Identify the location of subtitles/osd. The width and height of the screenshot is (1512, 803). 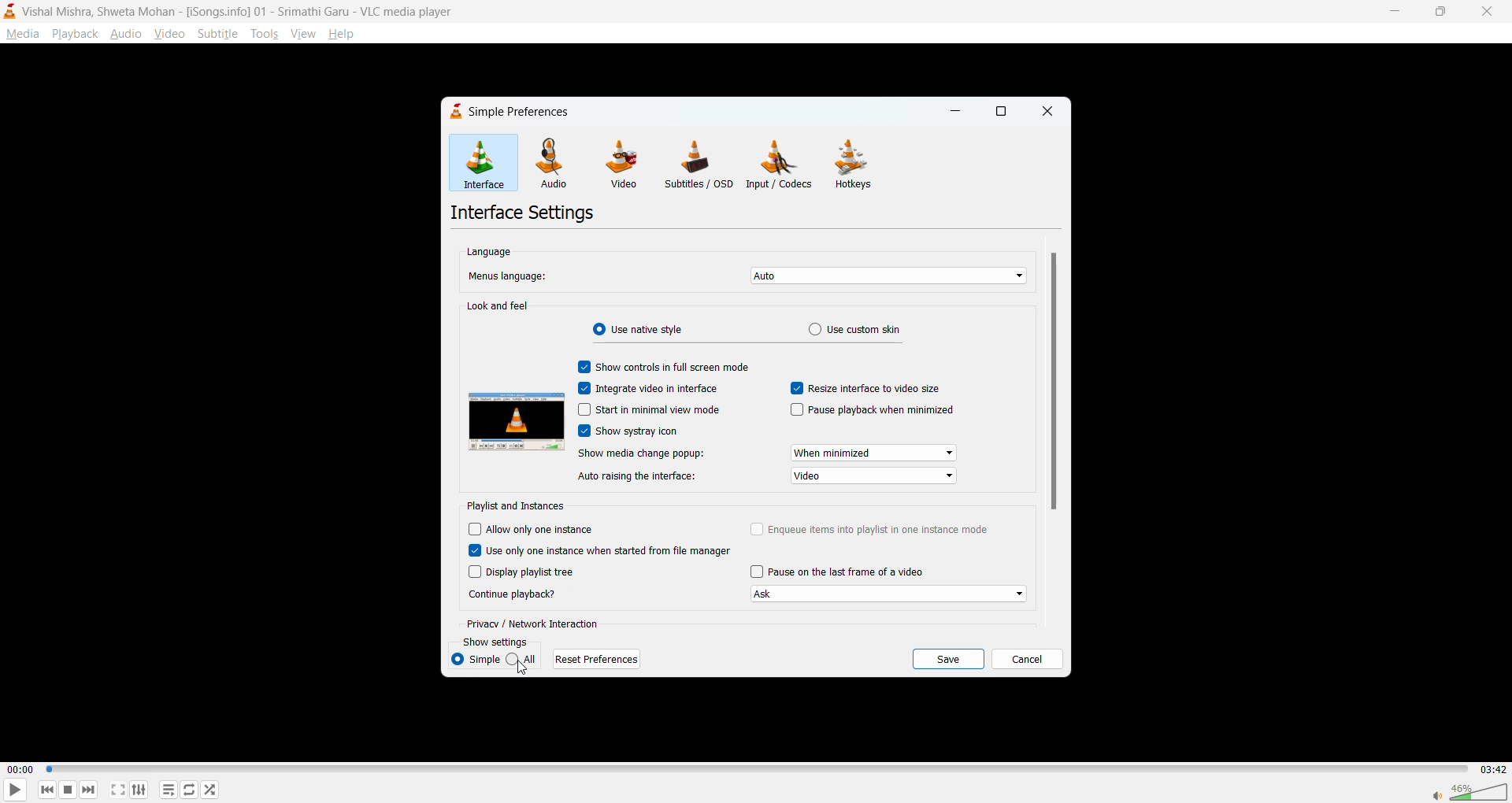
(703, 166).